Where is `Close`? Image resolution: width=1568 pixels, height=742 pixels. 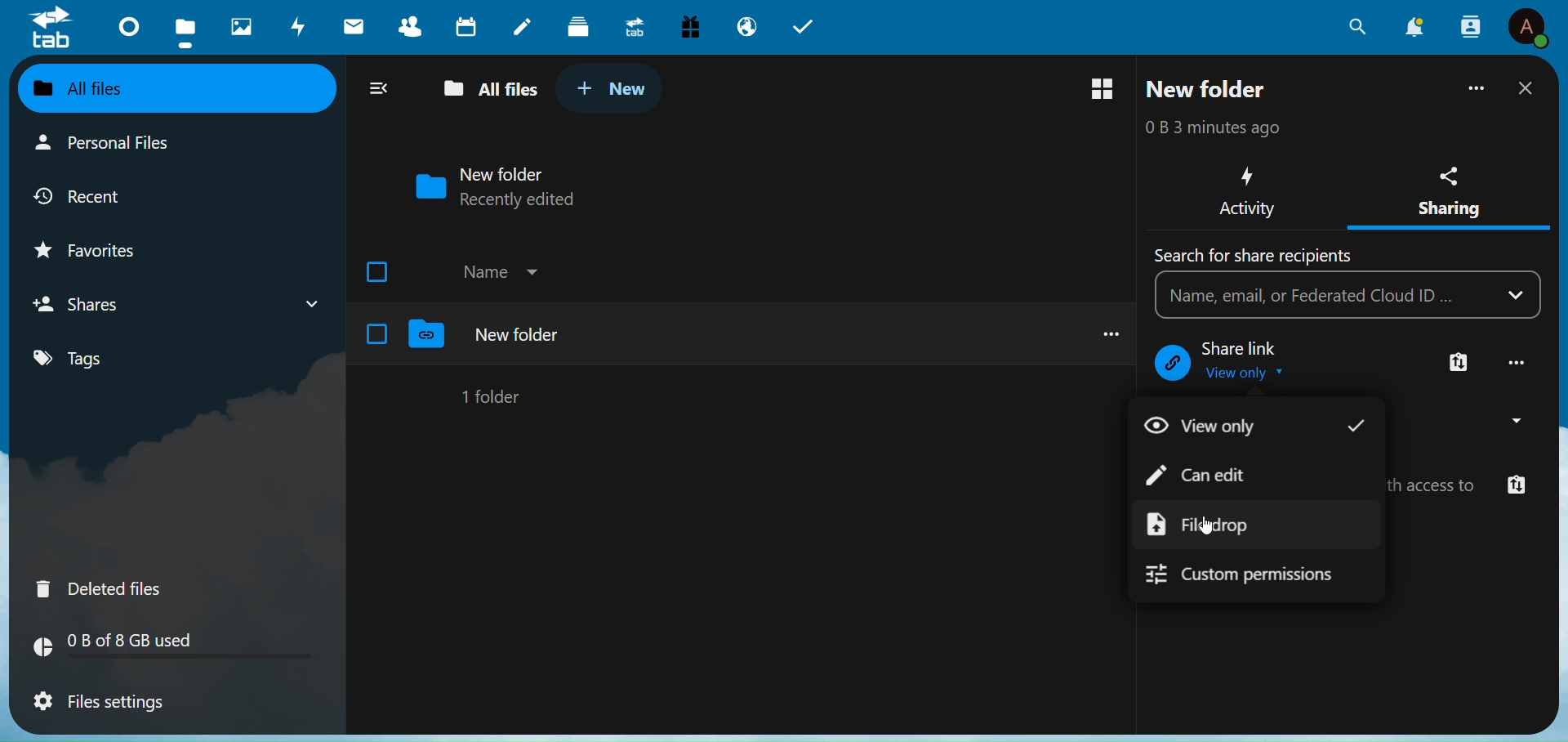
Close is located at coordinates (1525, 89).